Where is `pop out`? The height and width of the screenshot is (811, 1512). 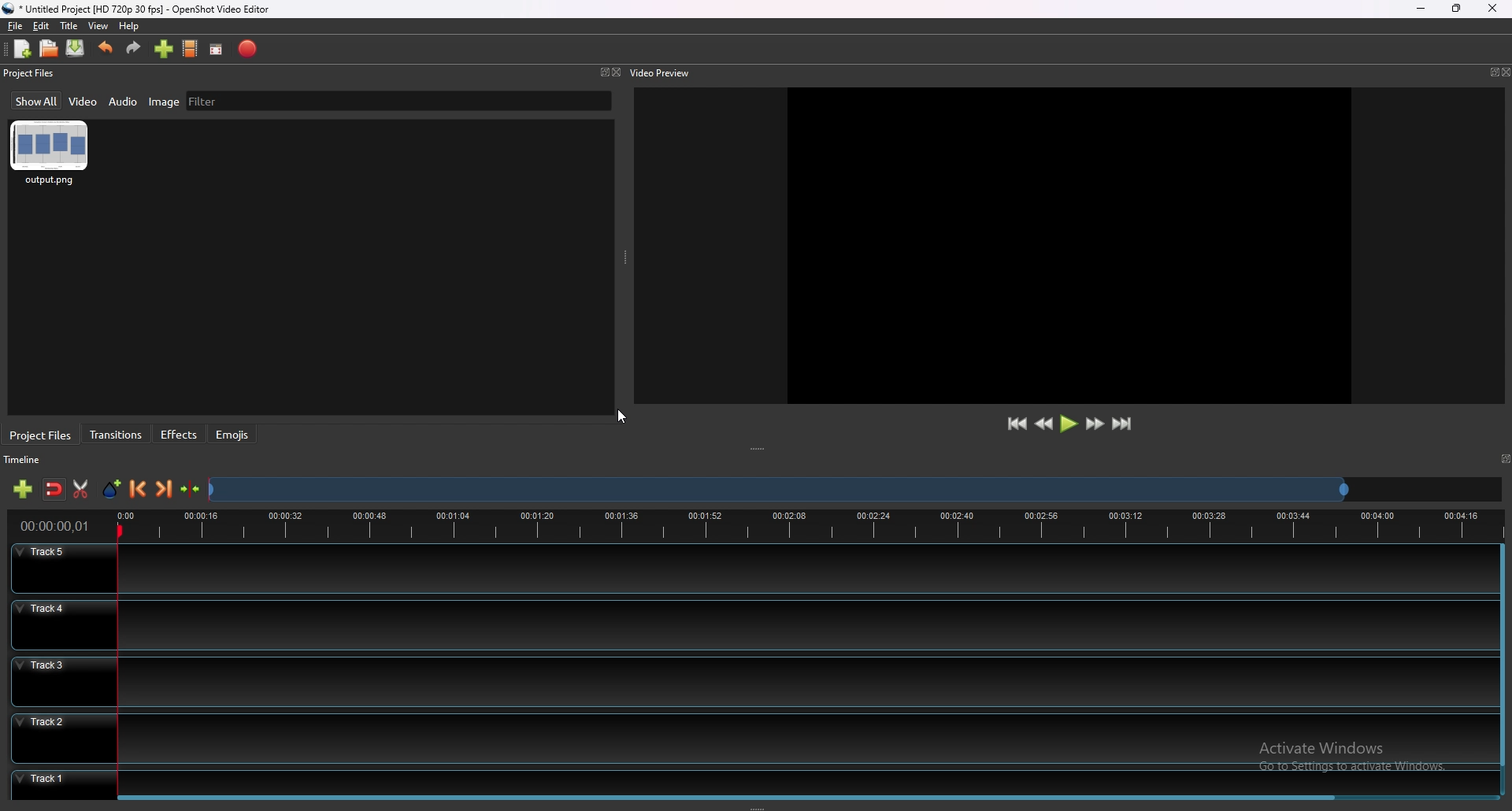 pop out is located at coordinates (601, 73).